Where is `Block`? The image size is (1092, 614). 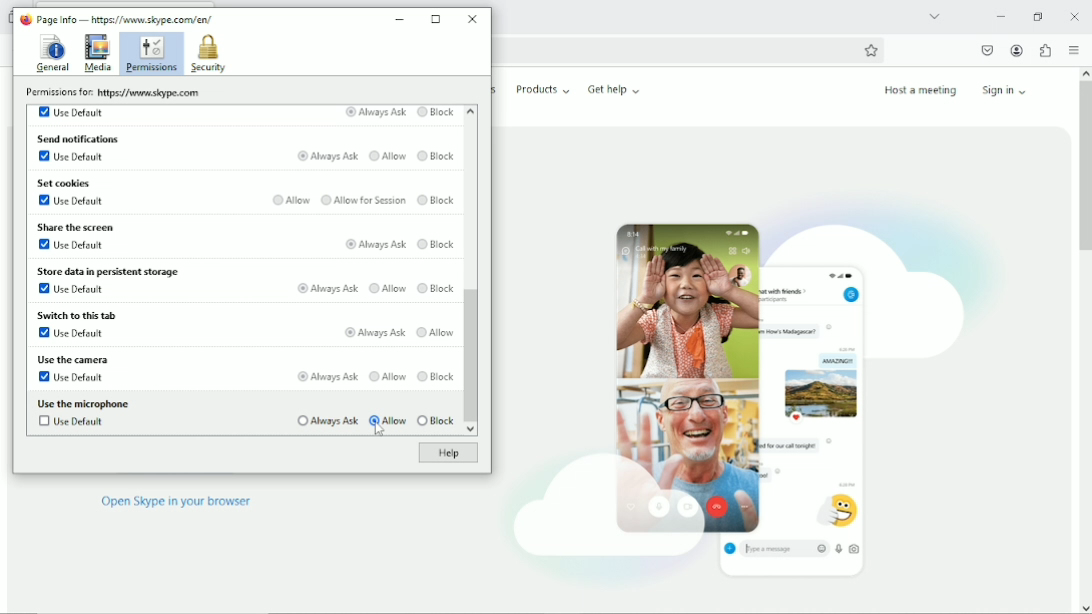
Block is located at coordinates (436, 242).